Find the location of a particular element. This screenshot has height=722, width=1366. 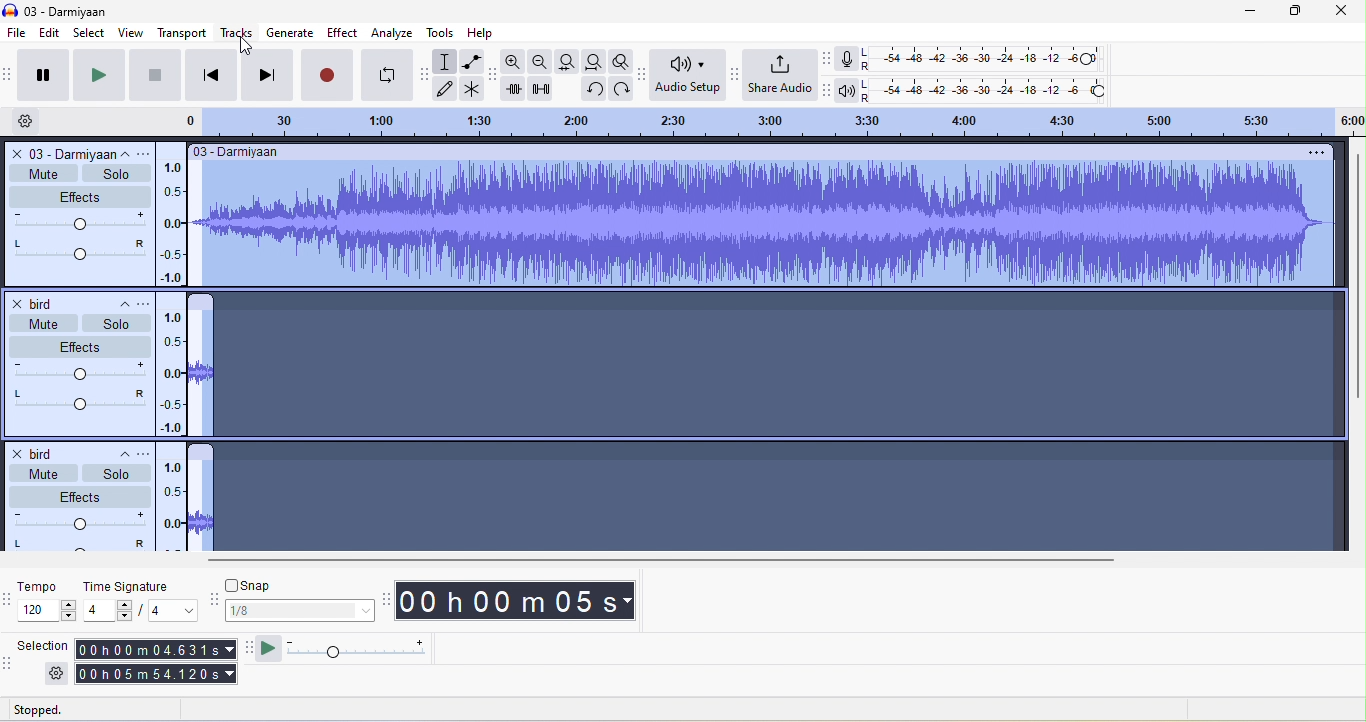

effect is located at coordinates (80, 345).